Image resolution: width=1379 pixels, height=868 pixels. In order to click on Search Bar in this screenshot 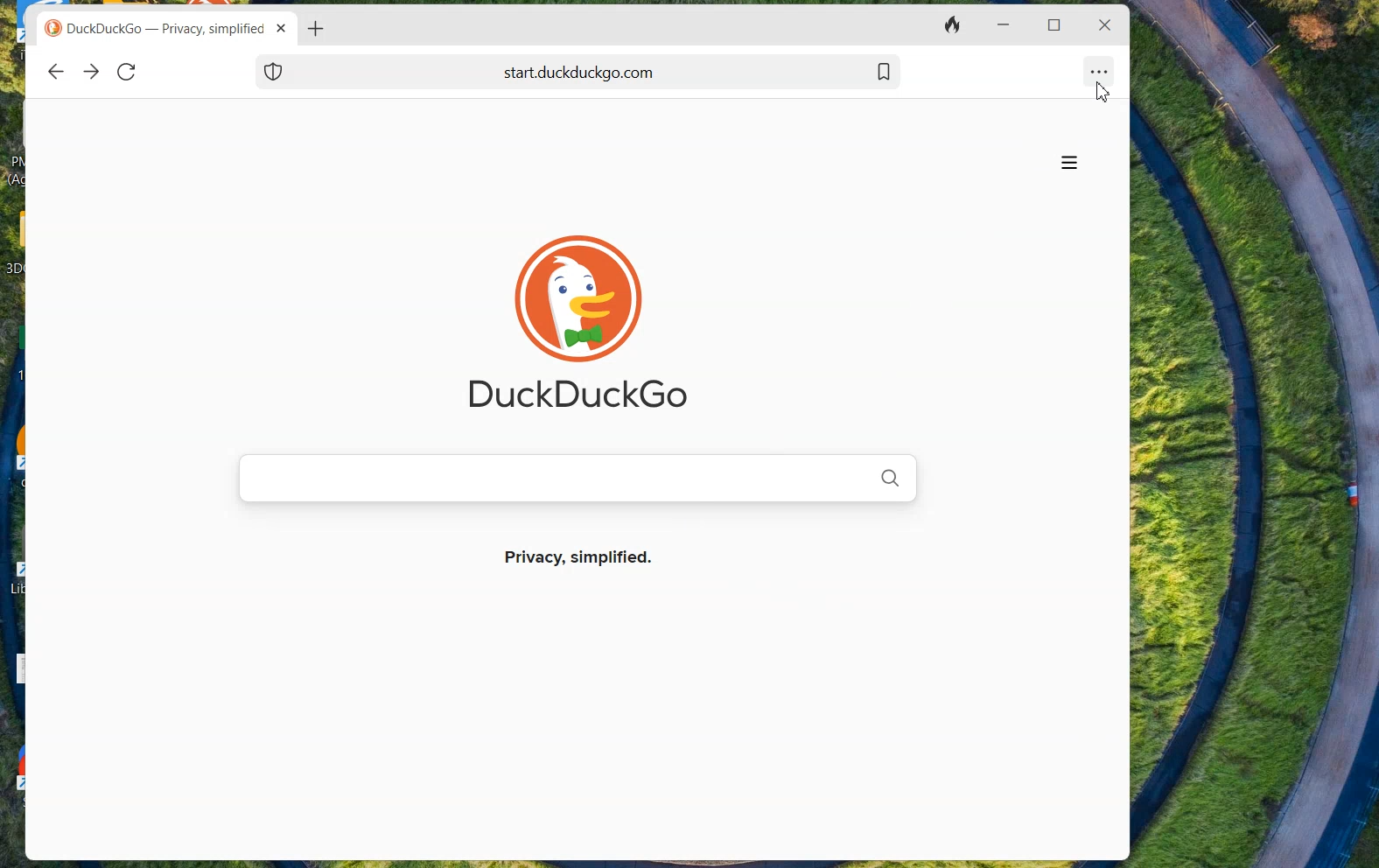, I will do `click(574, 478)`.